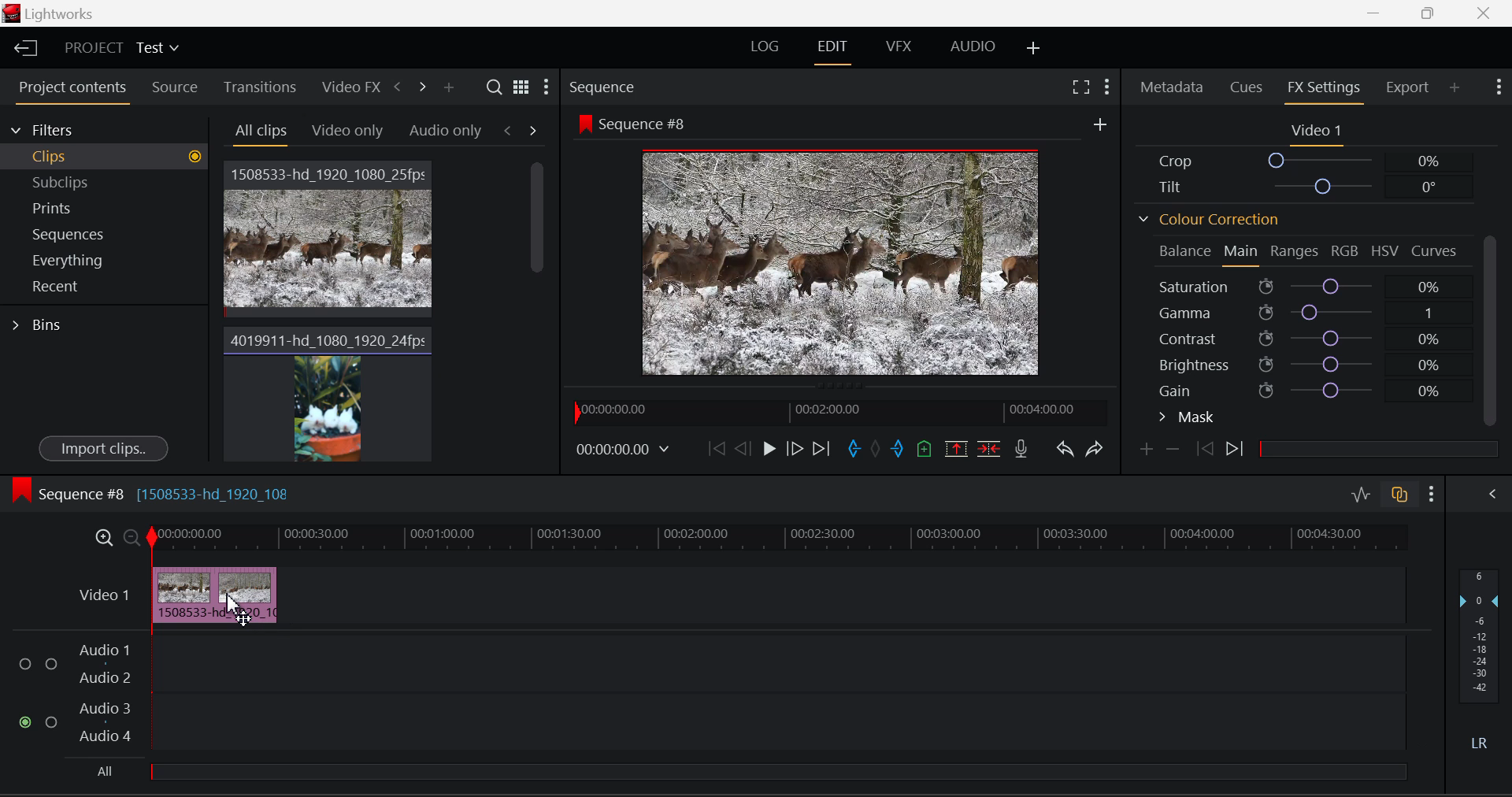 Image resolution: width=1512 pixels, height=797 pixels. What do you see at coordinates (1385, 252) in the screenshot?
I see `HSV` at bounding box center [1385, 252].